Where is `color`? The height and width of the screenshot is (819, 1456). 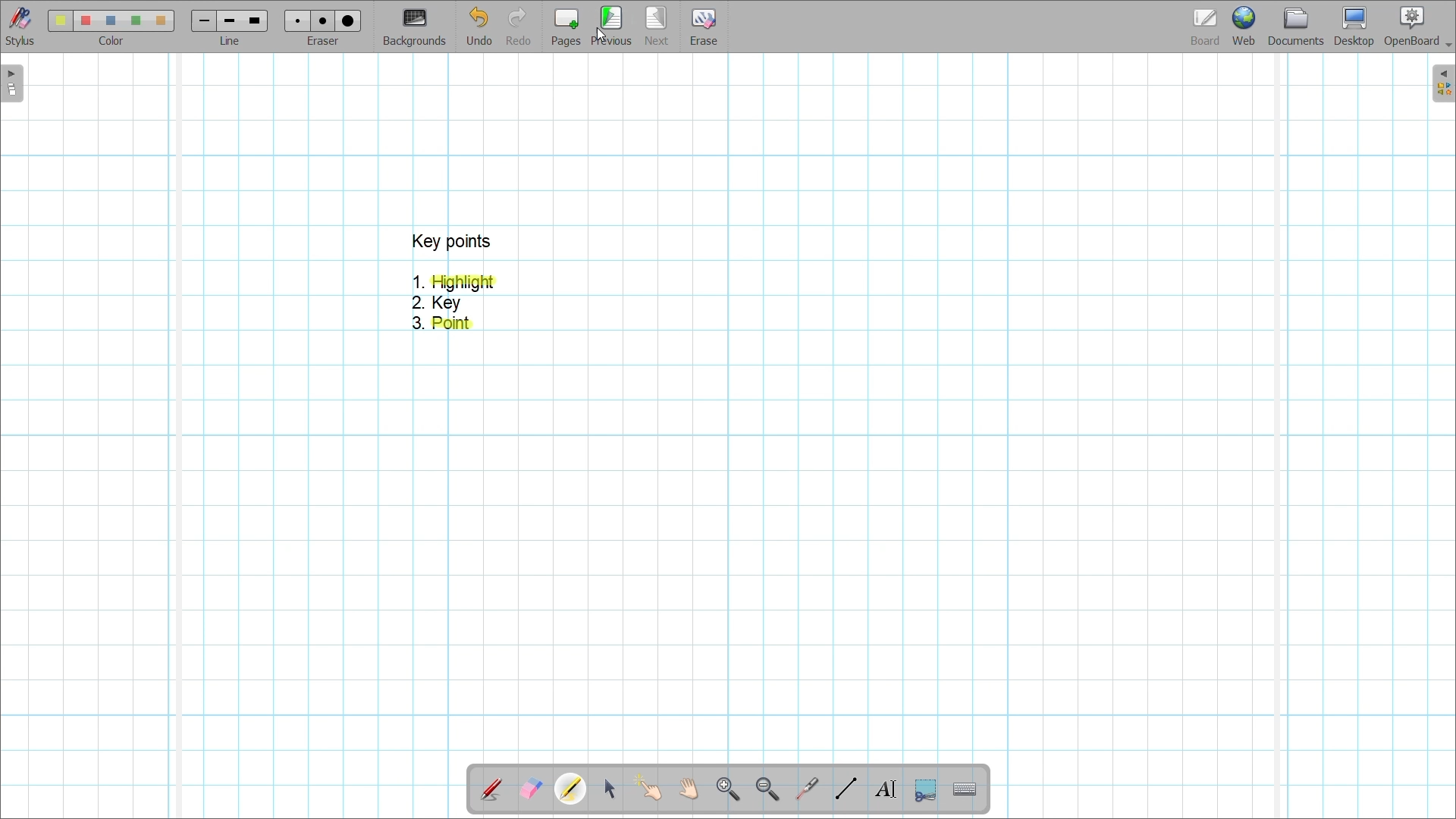 color is located at coordinates (108, 41).